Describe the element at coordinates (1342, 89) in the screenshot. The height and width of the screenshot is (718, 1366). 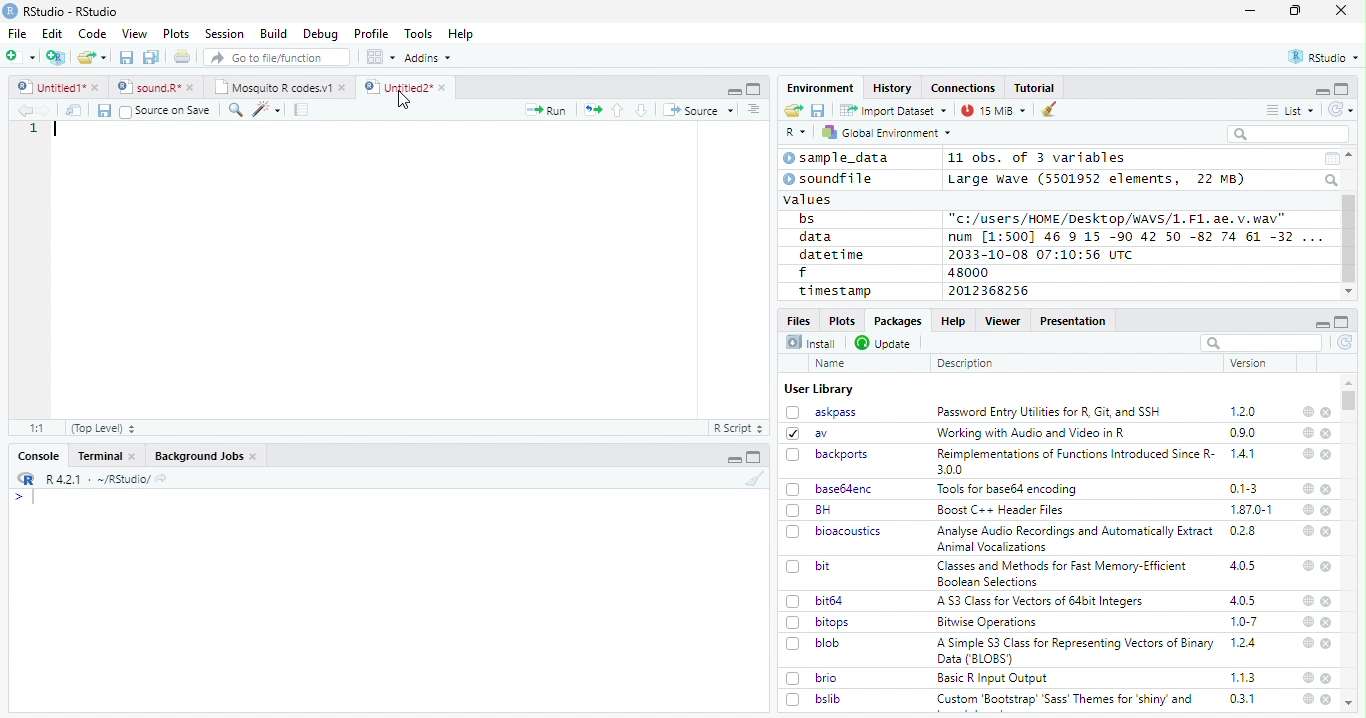
I see `full screen` at that location.